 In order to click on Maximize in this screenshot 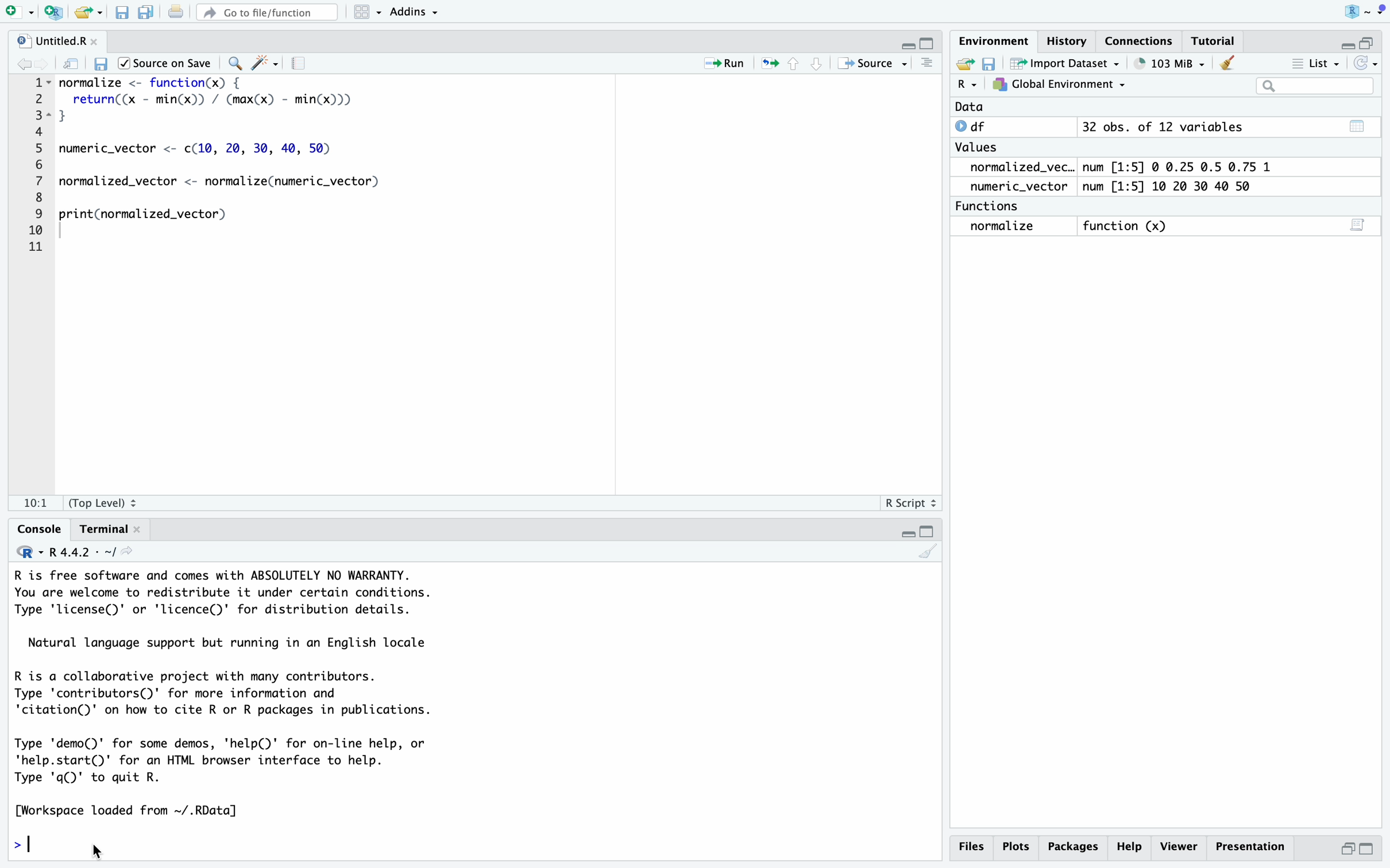, I will do `click(1370, 38)`.